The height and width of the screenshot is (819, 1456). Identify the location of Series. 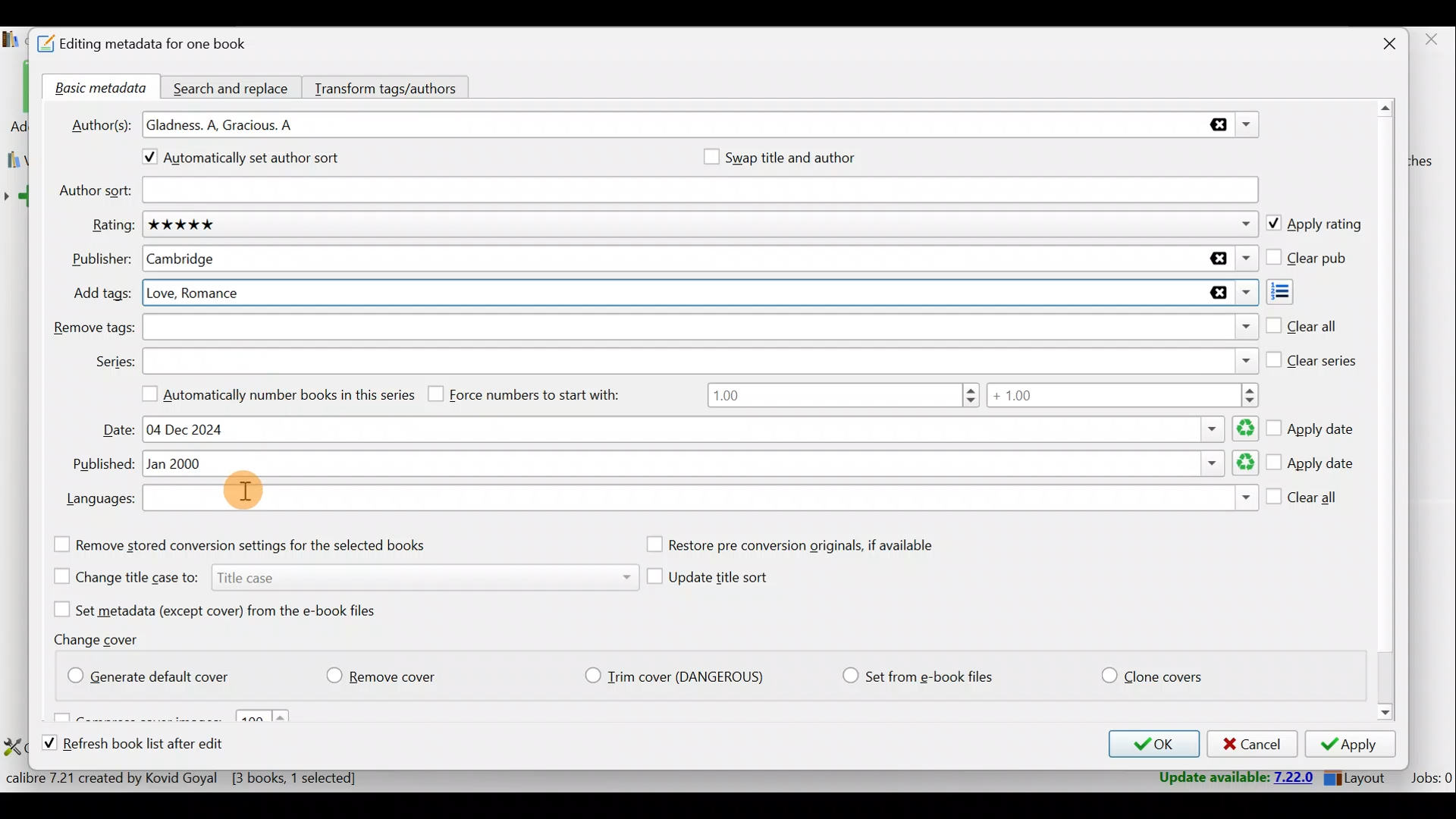
(701, 359).